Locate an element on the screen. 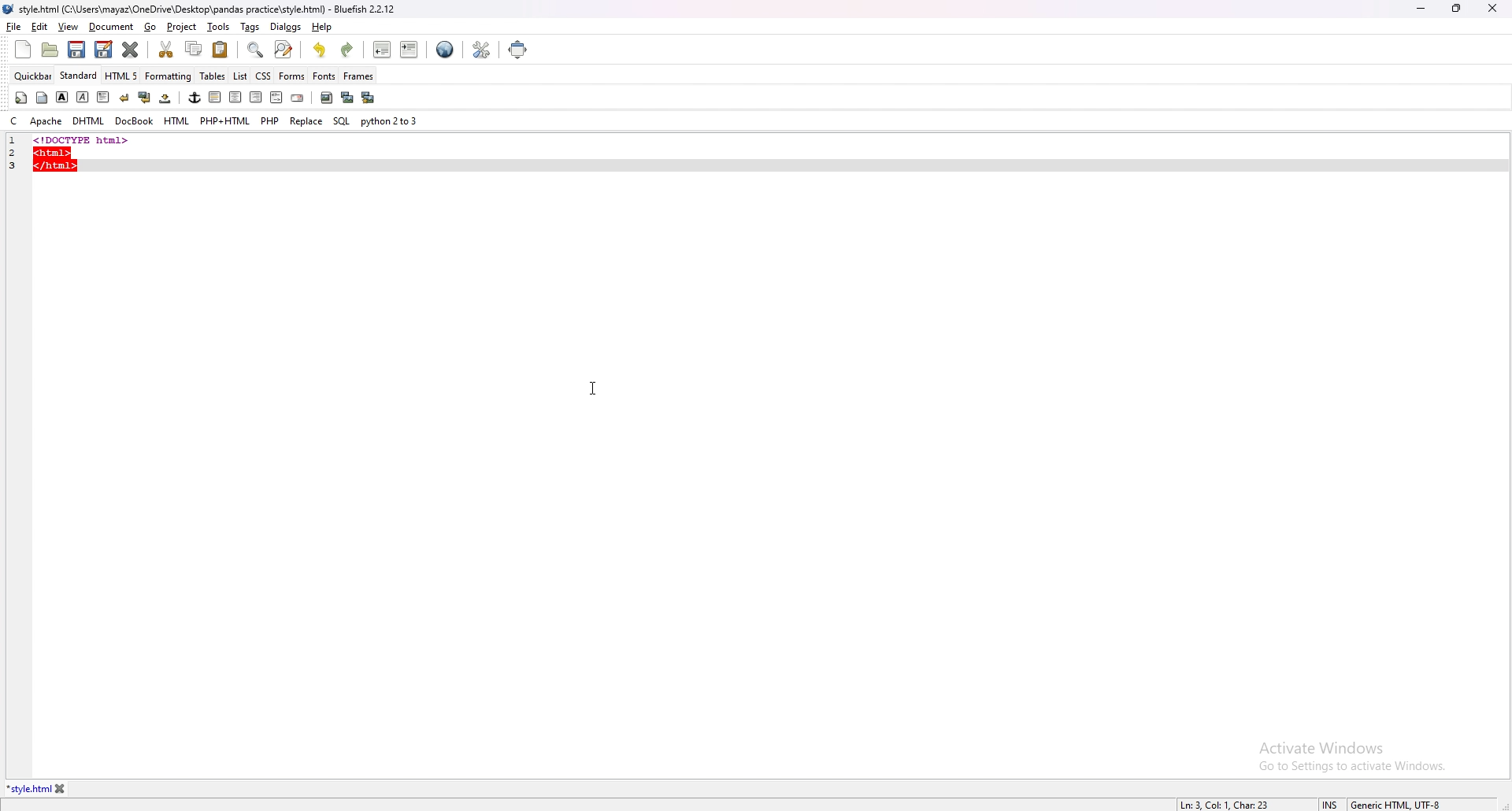 This screenshot has height=811, width=1512. cut is located at coordinates (168, 49).